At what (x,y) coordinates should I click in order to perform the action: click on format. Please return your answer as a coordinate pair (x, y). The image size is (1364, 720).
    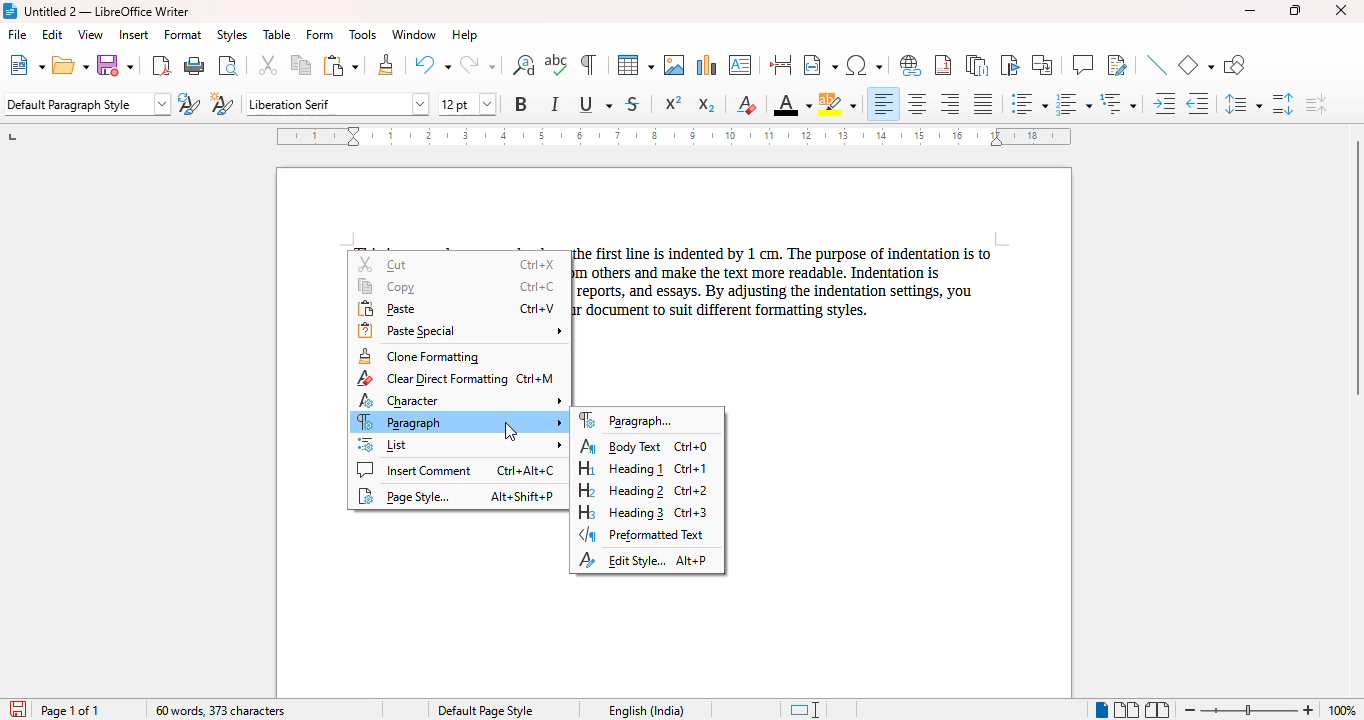
    Looking at the image, I should click on (183, 35).